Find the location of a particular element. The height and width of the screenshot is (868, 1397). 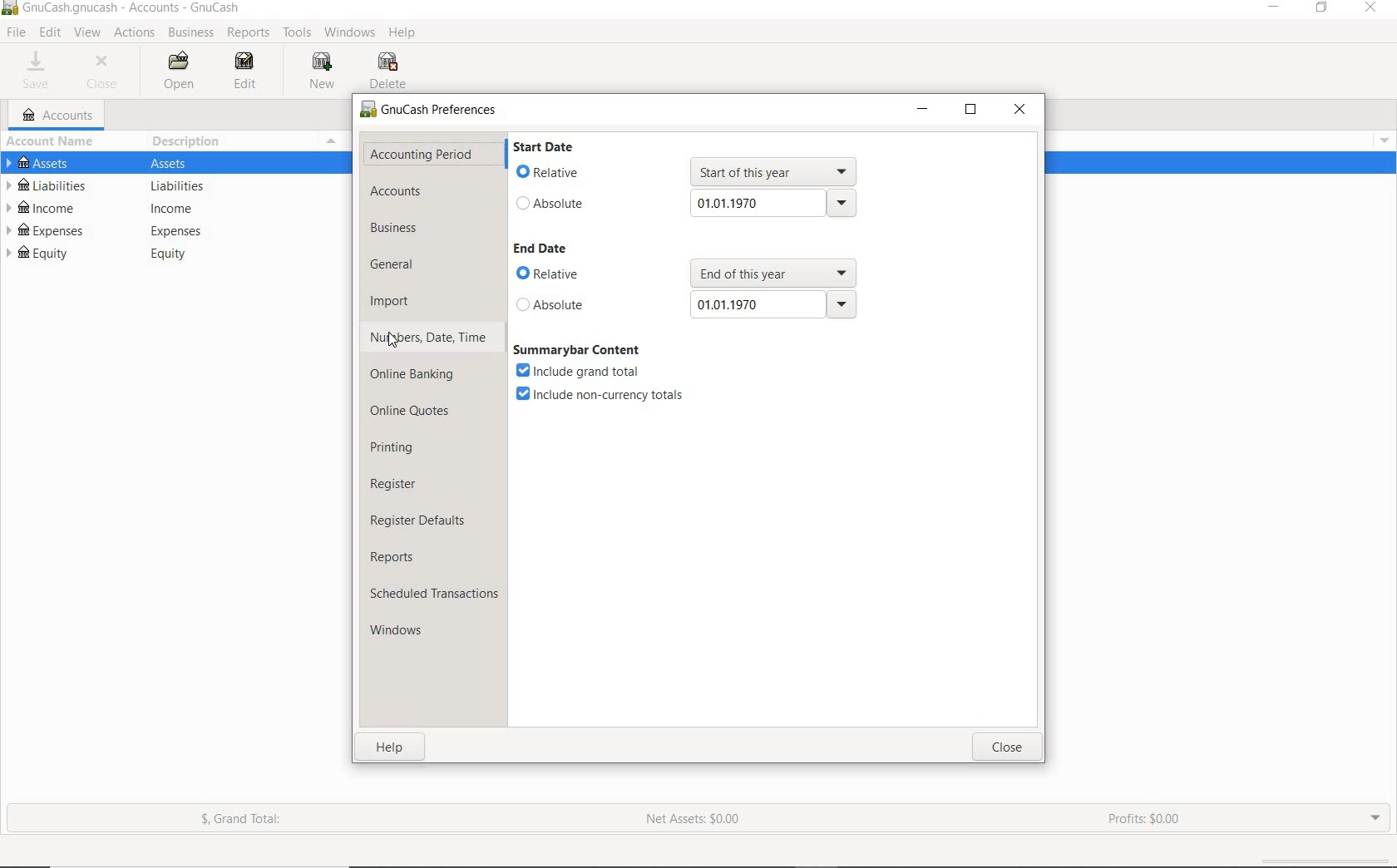

absolute is located at coordinates (551, 204).